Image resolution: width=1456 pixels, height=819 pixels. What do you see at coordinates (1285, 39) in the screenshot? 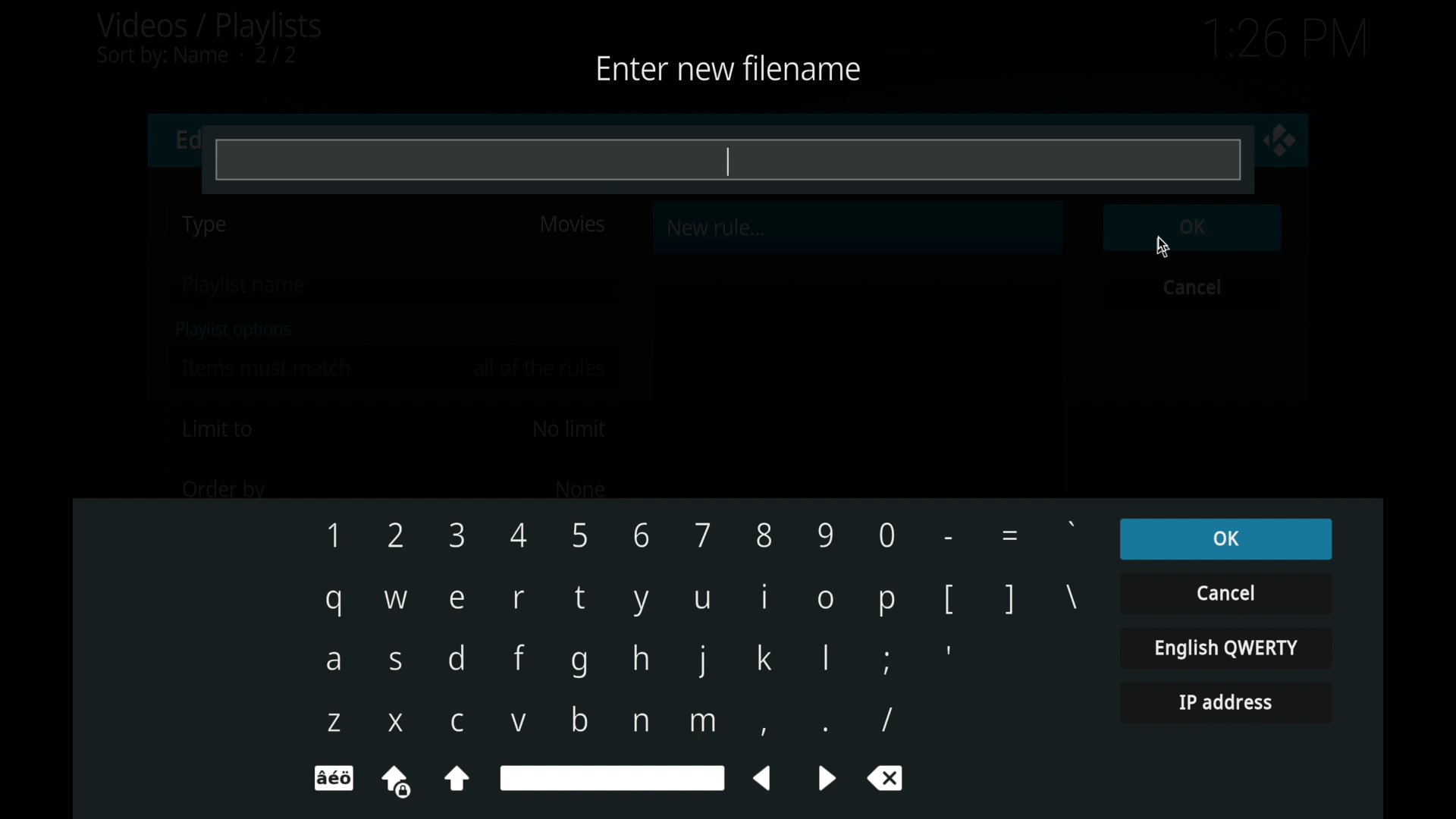
I see `time` at bounding box center [1285, 39].